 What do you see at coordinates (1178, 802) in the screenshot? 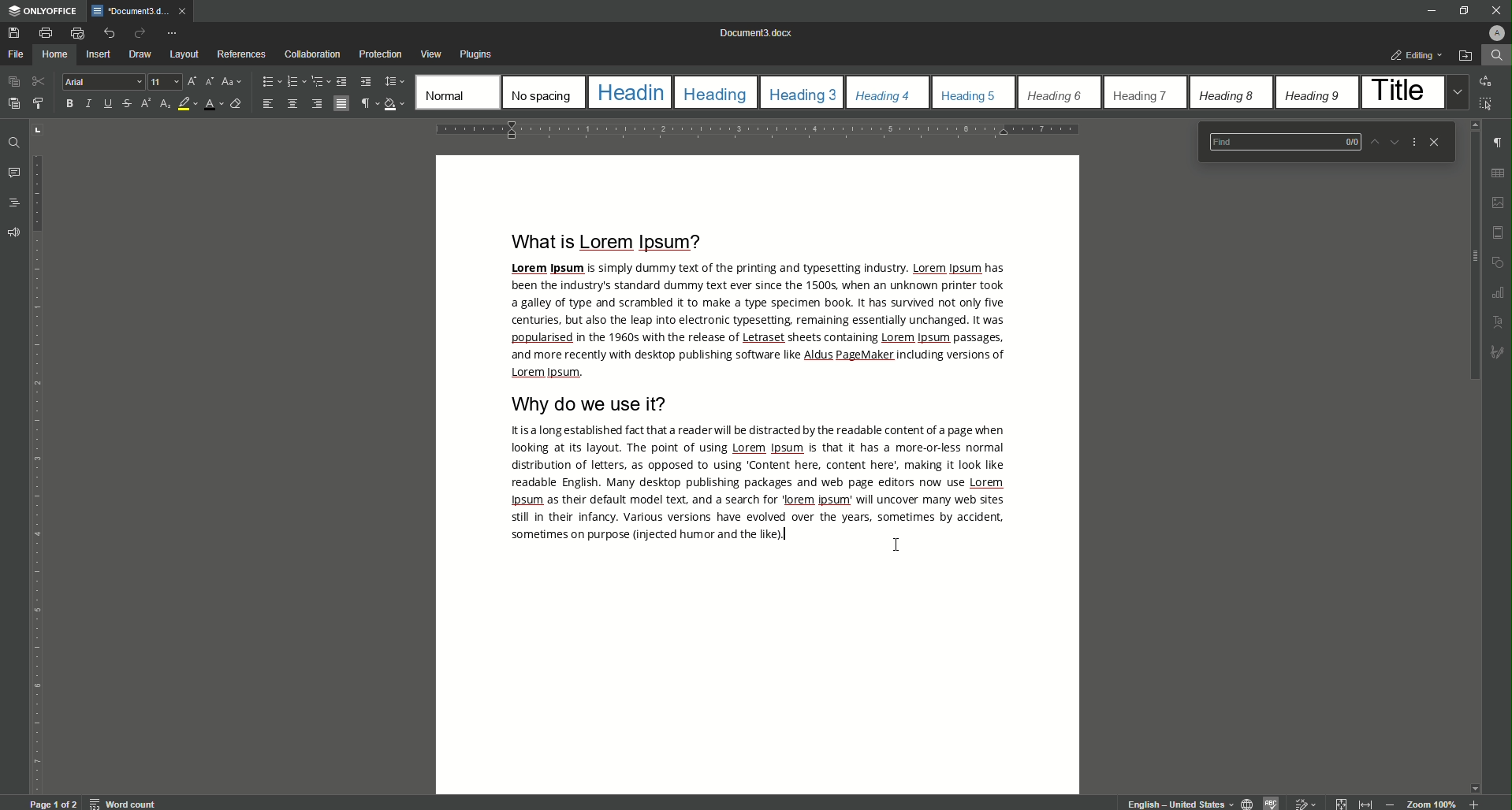
I see `English - United States` at bounding box center [1178, 802].